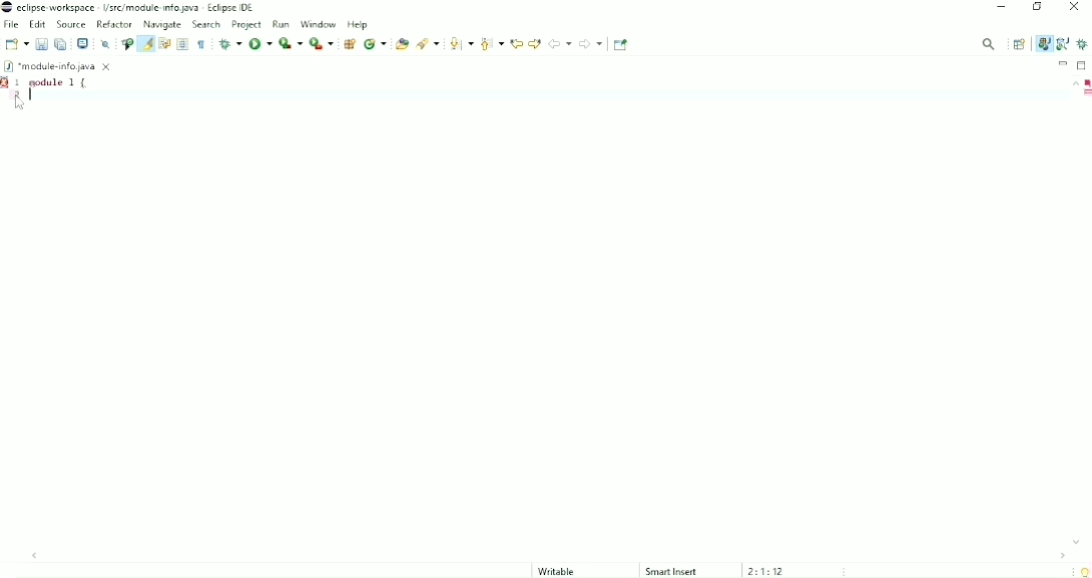 The width and height of the screenshot is (1092, 578). Describe the element at coordinates (131, 7) in the screenshot. I see `eclipse workspace /src/module.info.java Eclipse IDE` at that location.